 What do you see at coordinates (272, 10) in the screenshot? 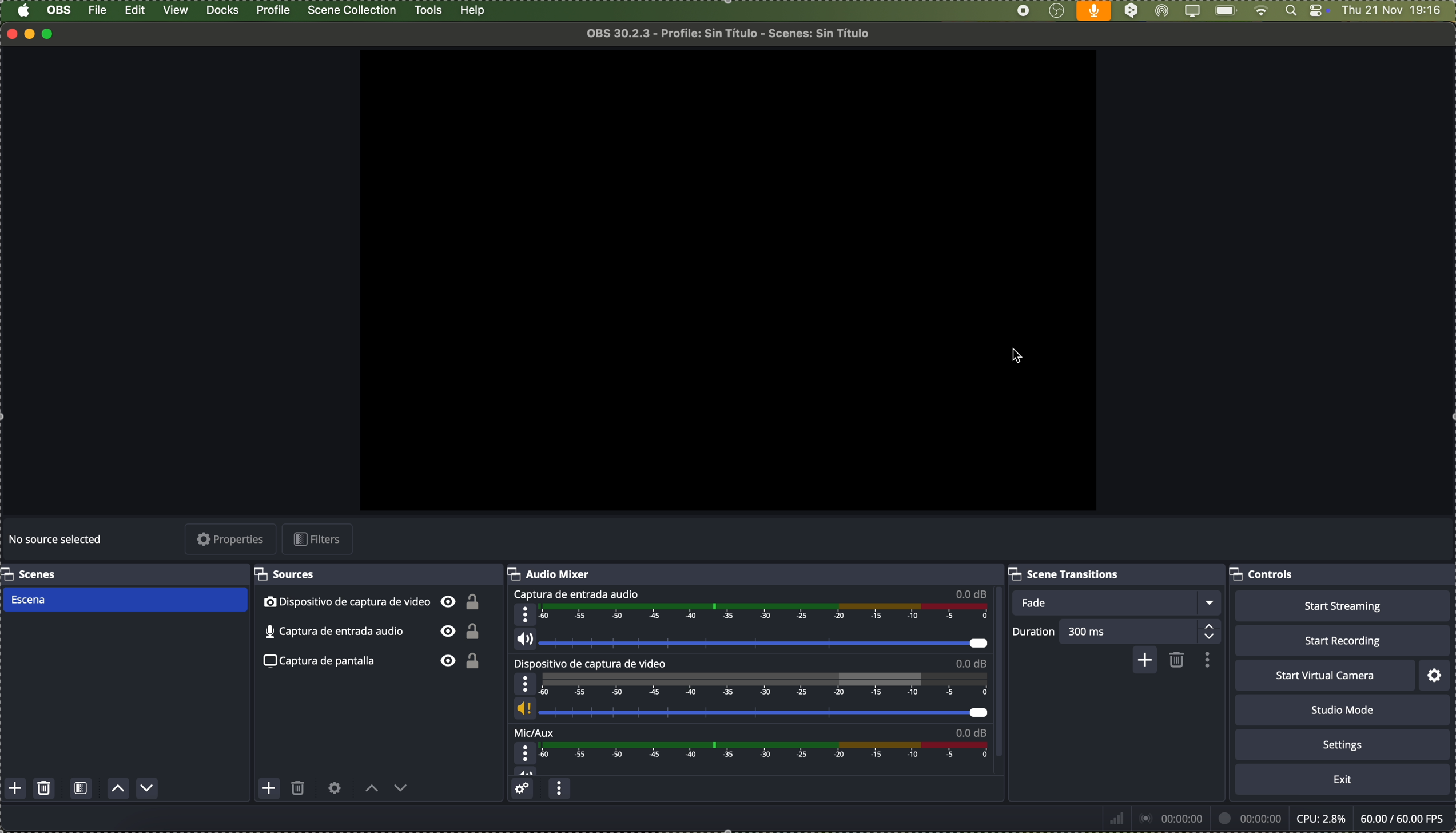
I see `profile` at bounding box center [272, 10].